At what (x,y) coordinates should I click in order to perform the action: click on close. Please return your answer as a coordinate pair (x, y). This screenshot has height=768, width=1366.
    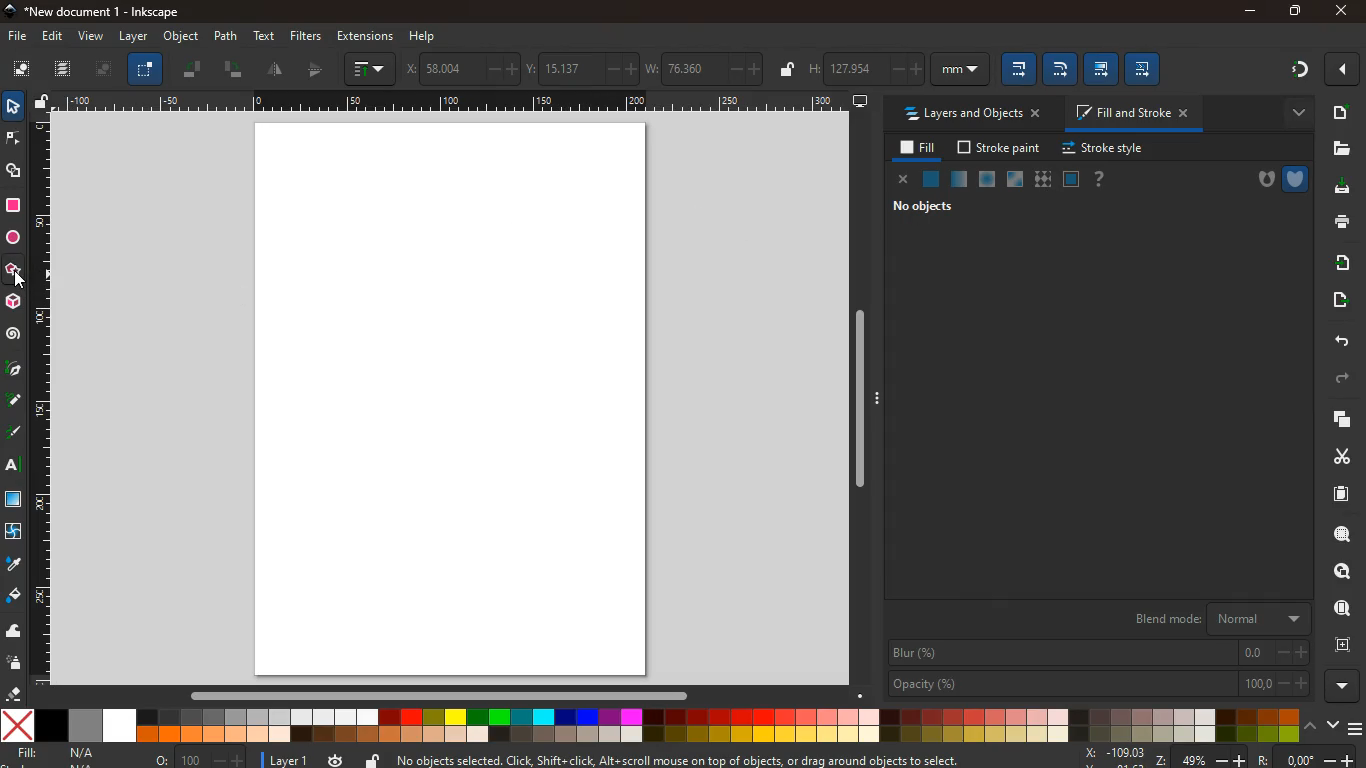
    Looking at the image, I should click on (1343, 9).